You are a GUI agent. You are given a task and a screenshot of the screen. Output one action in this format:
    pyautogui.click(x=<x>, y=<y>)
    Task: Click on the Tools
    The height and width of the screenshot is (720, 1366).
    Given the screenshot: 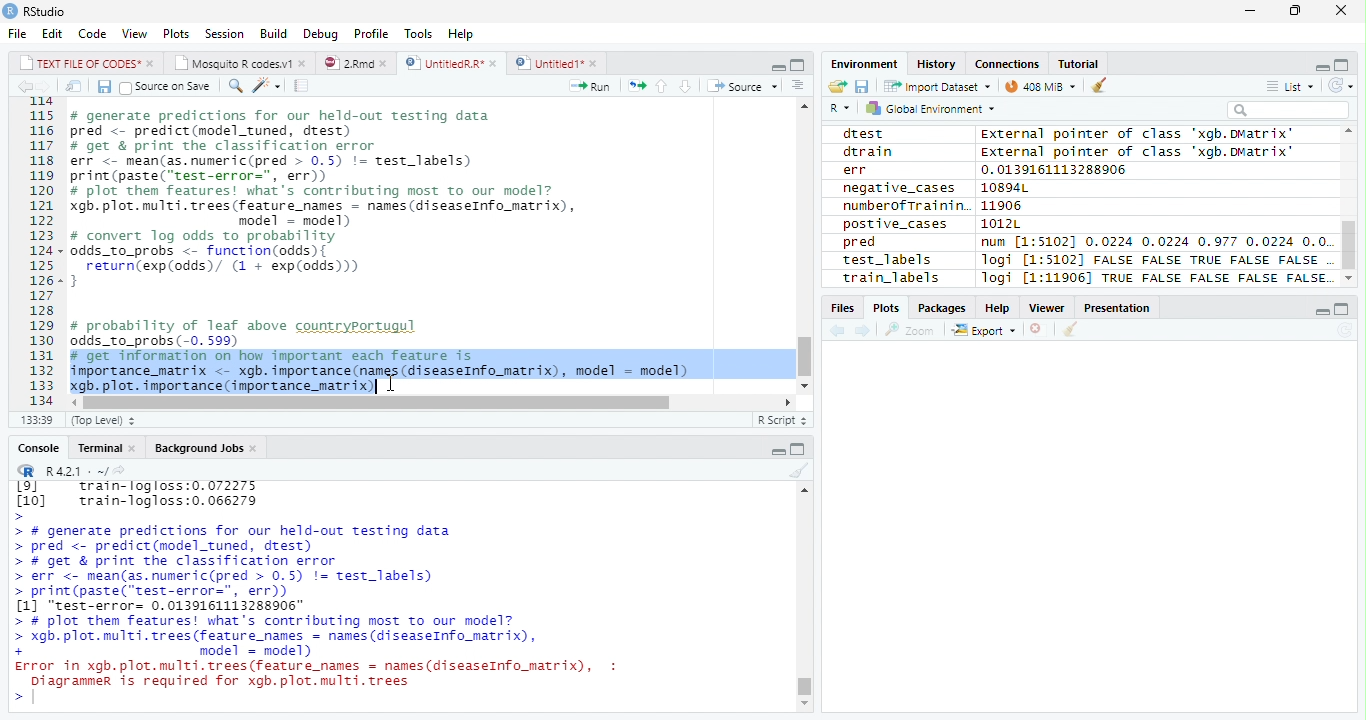 What is the action you would take?
    pyautogui.click(x=418, y=33)
    